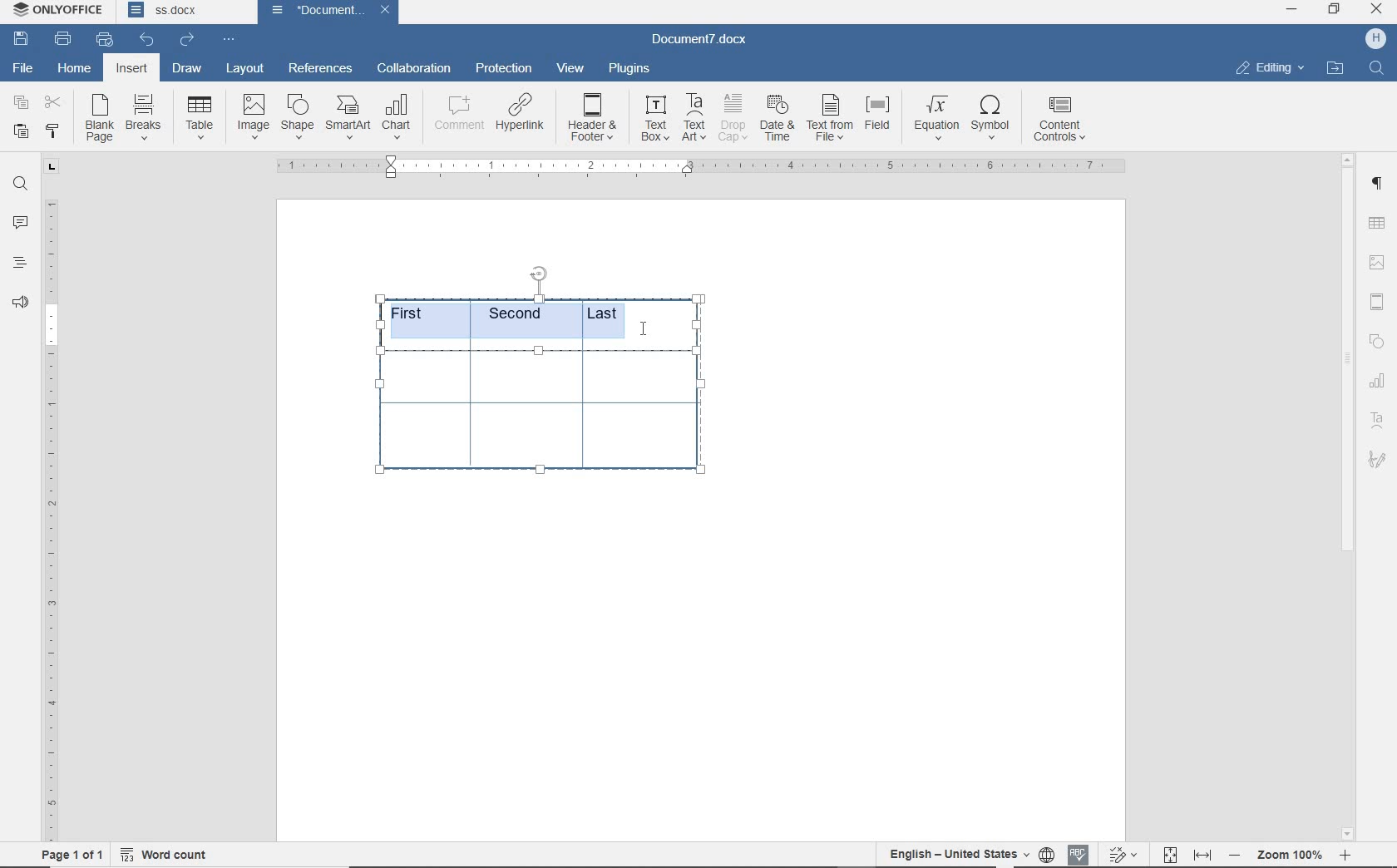 This screenshot has width=1397, height=868. I want to click on headings, so click(19, 264).